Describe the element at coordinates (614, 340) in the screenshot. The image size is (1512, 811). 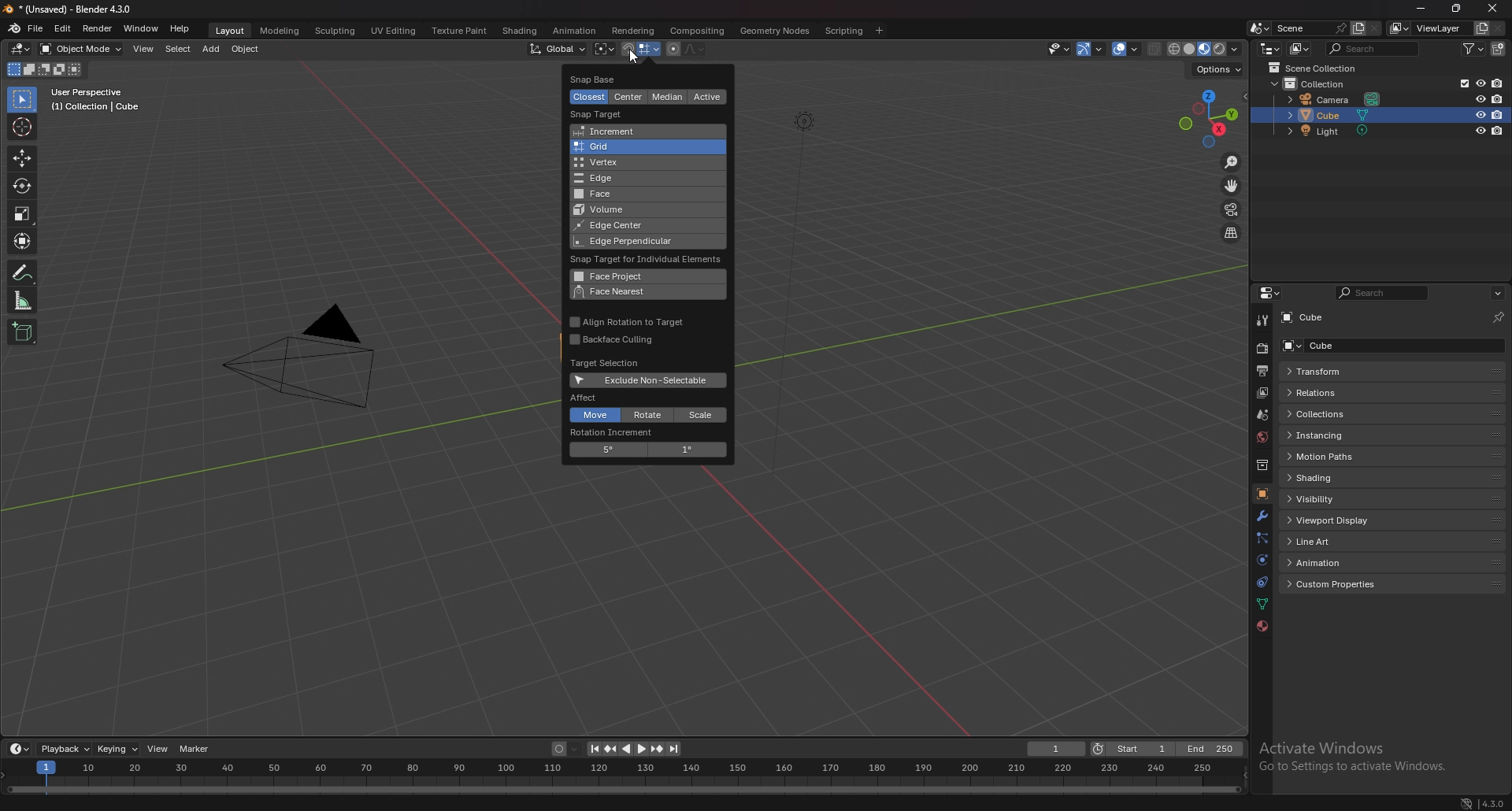
I see `backface culling` at that location.